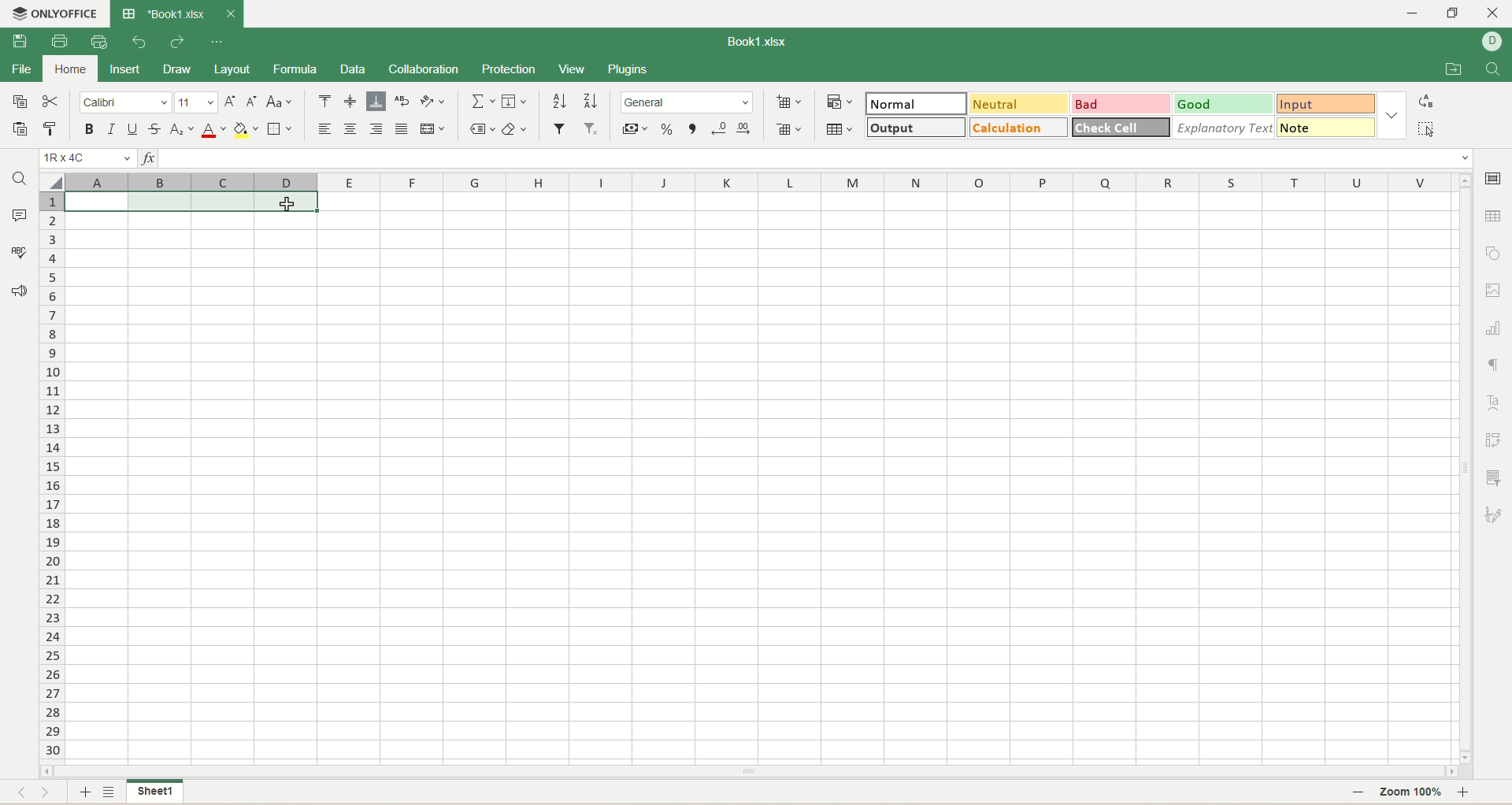 This screenshot has height=805, width=1512. I want to click on increase decimal, so click(743, 128).